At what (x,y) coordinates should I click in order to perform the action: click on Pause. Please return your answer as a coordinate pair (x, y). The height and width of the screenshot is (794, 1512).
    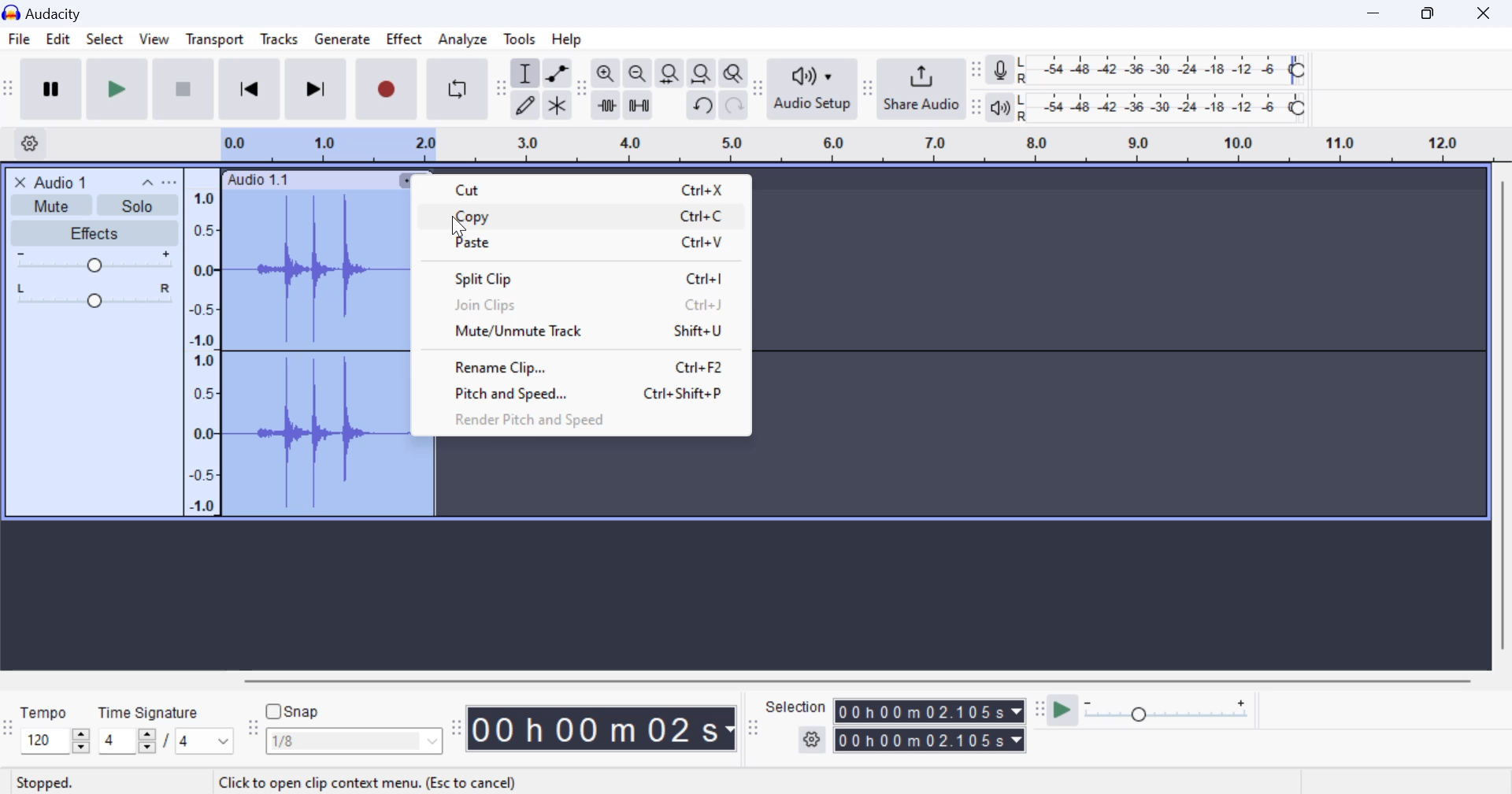
    Looking at the image, I should click on (50, 89).